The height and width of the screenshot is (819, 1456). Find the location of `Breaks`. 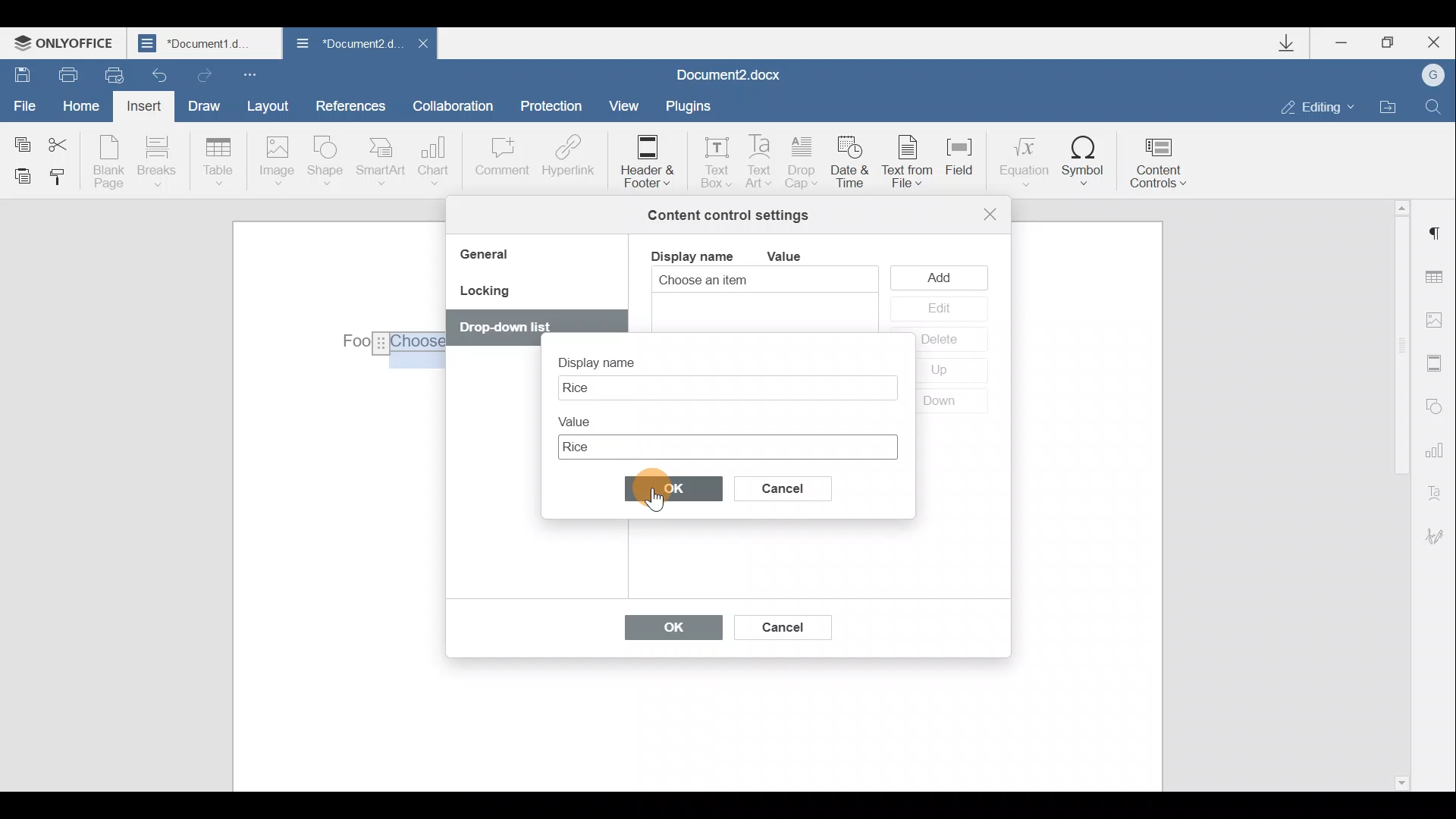

Breaks is located at coordinates (155, 165).